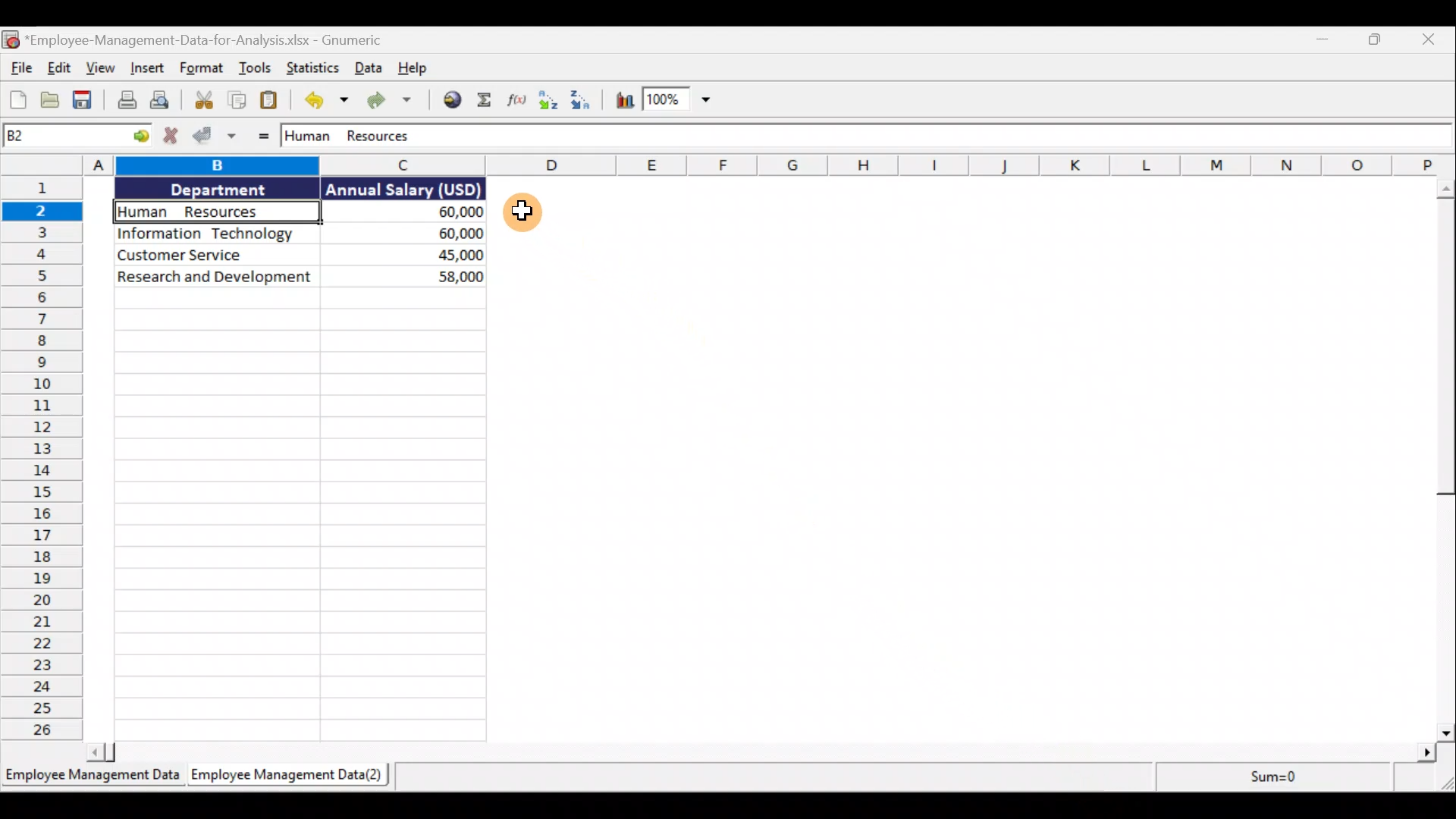 The height and width of the screenshot is (819, 1456). Describe the element at coordinates (83, 100) in the screenshot. I see `Save the current workbook` at that location.